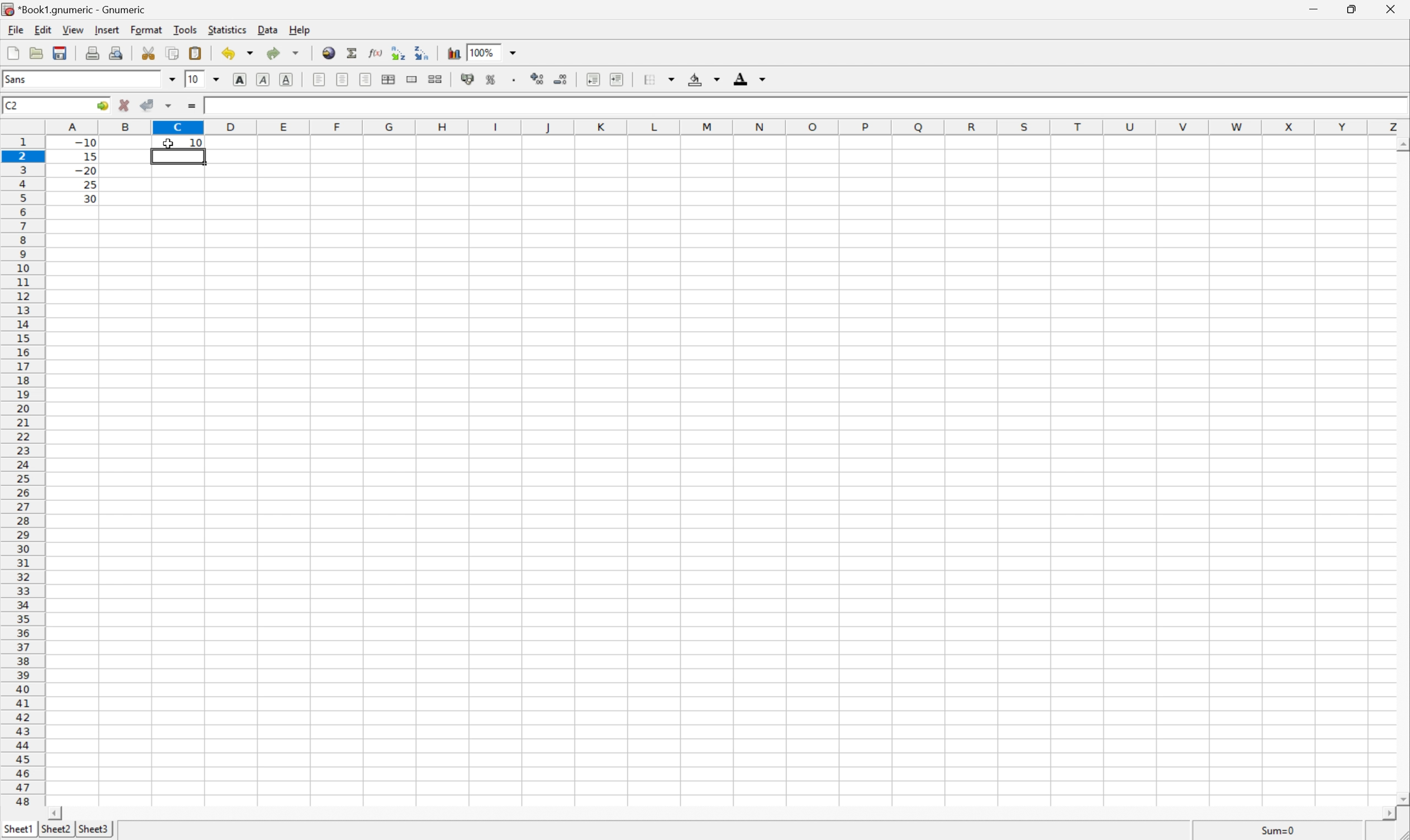 This screenshot has height=840, width=1410. I want to click on Foreground, so click(740, 81).